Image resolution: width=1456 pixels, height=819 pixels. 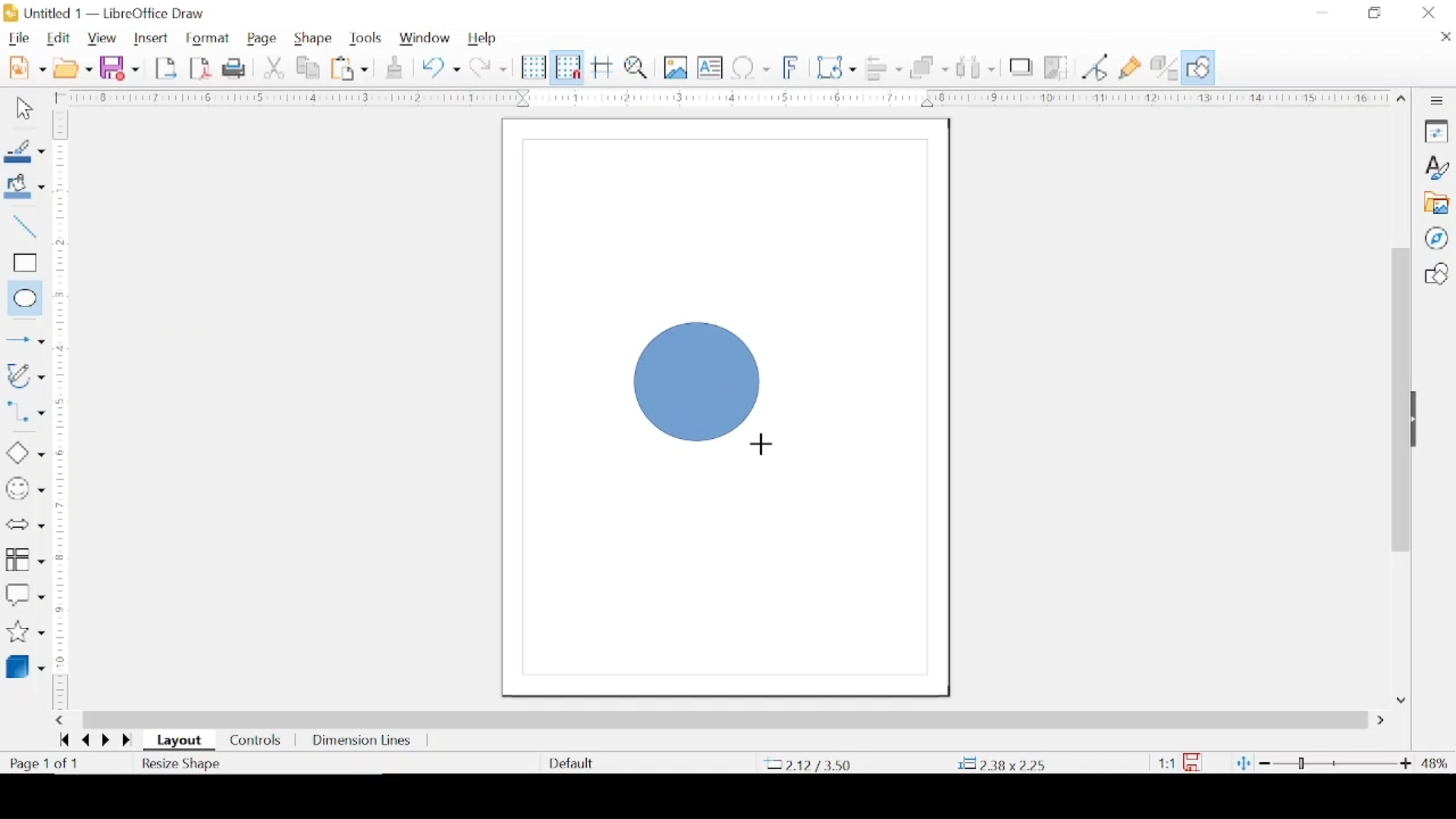 I want to click on open, so click(x=74, y=67).